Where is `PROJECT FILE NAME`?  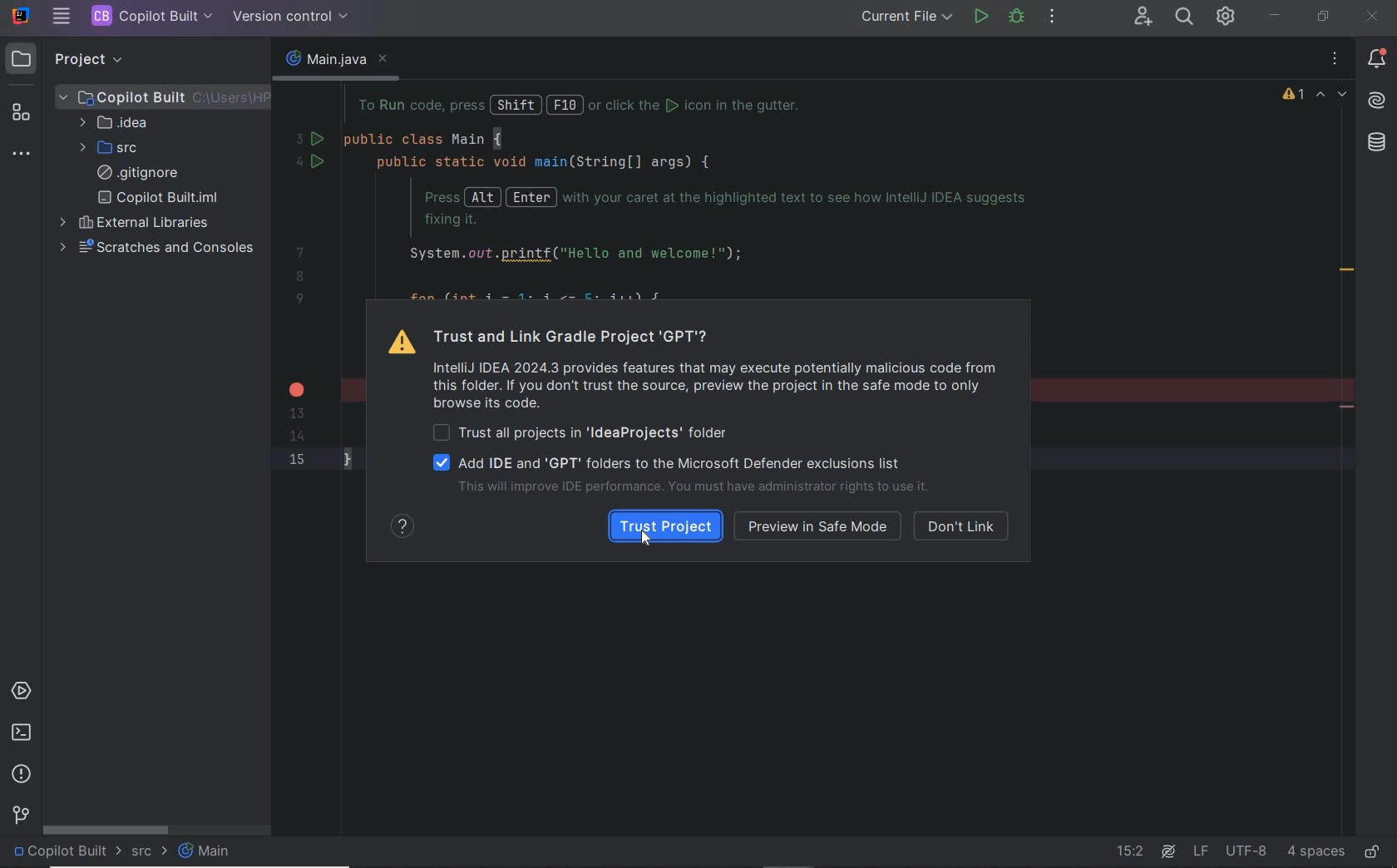
PROJECT FILE NAME is located at coordinates (152, 16).